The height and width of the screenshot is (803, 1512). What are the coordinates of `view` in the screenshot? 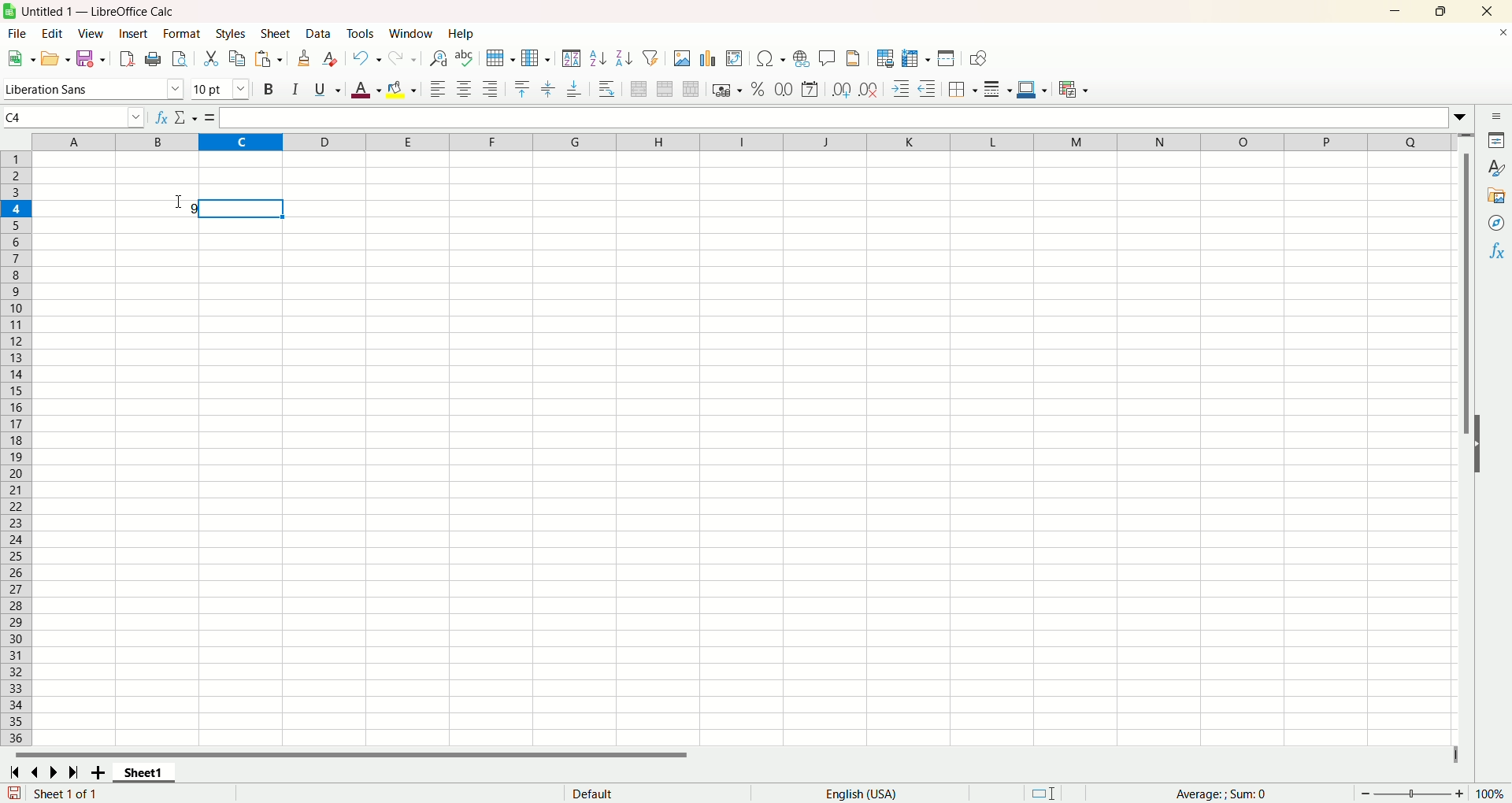 It's located at (92, 33).